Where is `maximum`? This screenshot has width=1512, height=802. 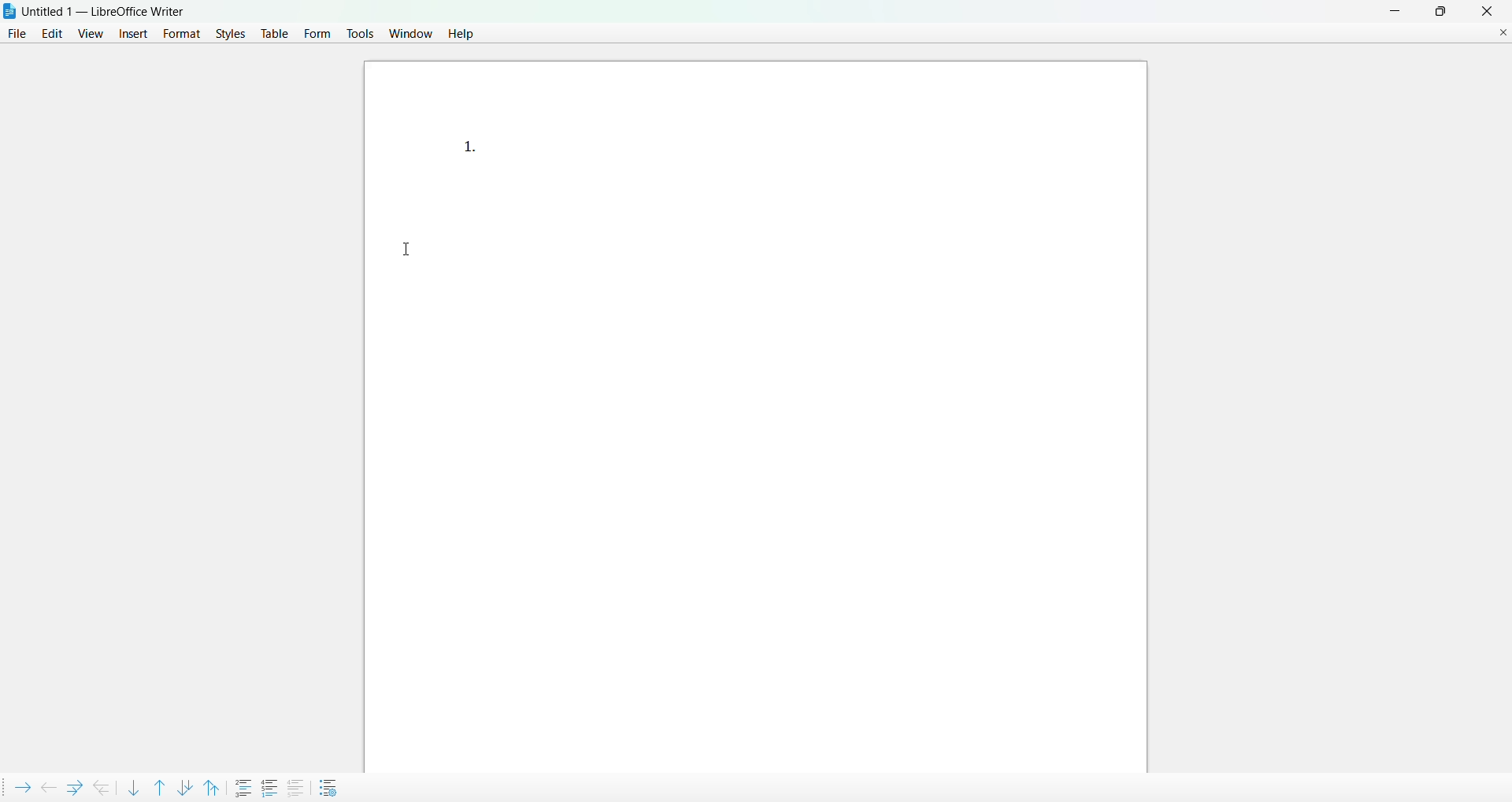 maximum is located at coordinates (1441, 10).